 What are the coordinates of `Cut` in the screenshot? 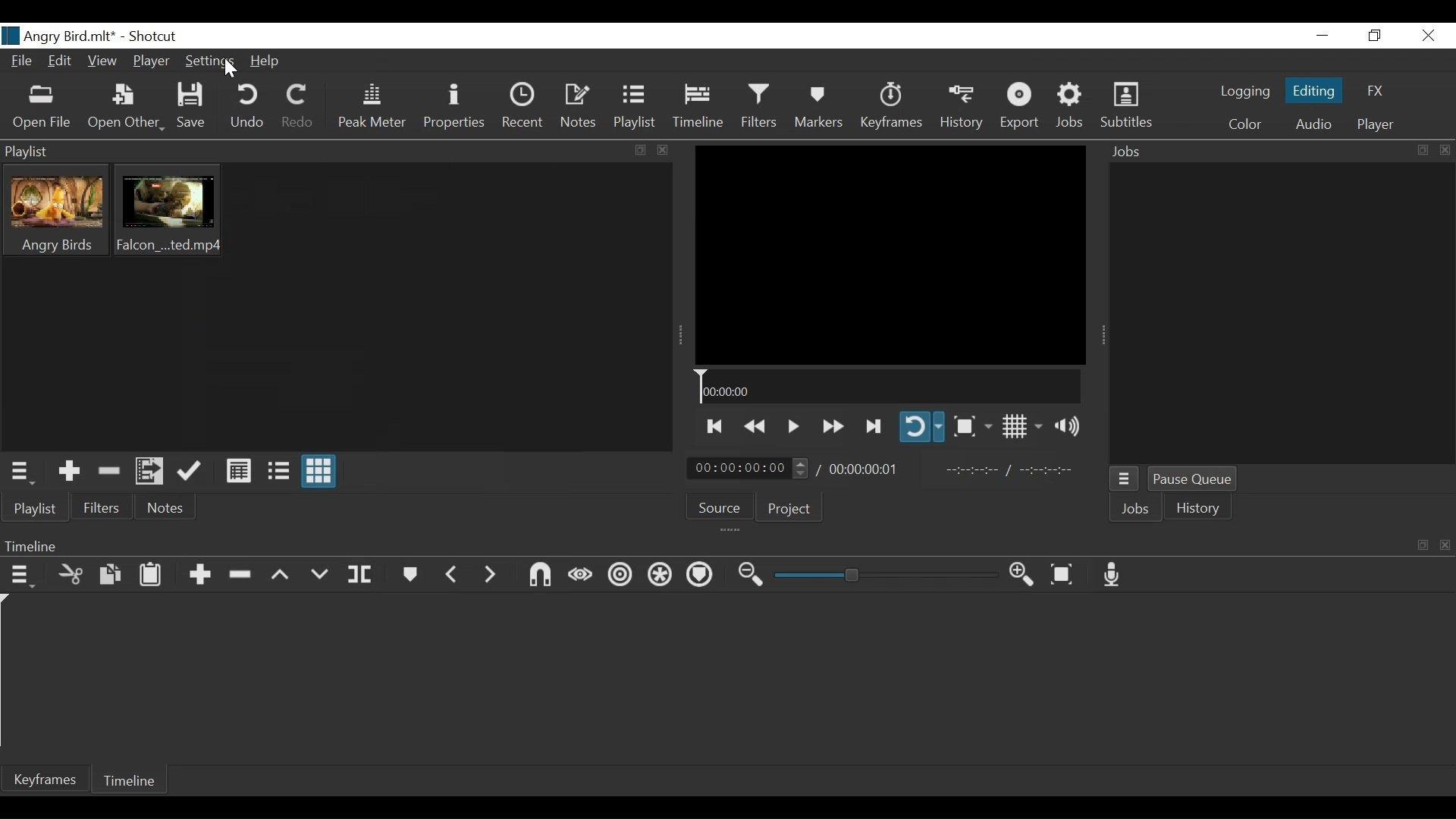 It's located at (71, 576).